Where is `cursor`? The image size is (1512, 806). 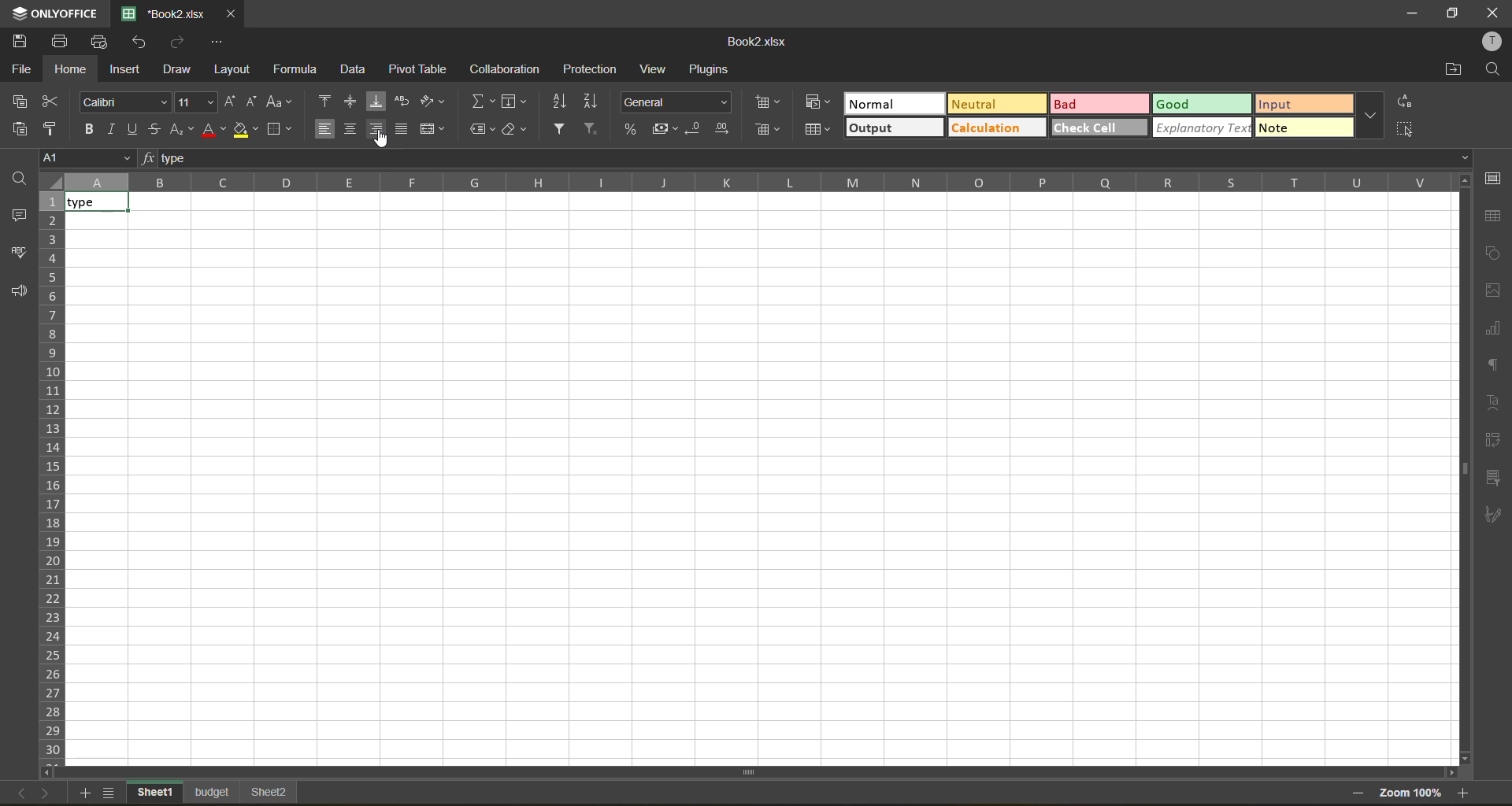
cursor is located at coordinates (380, 139).